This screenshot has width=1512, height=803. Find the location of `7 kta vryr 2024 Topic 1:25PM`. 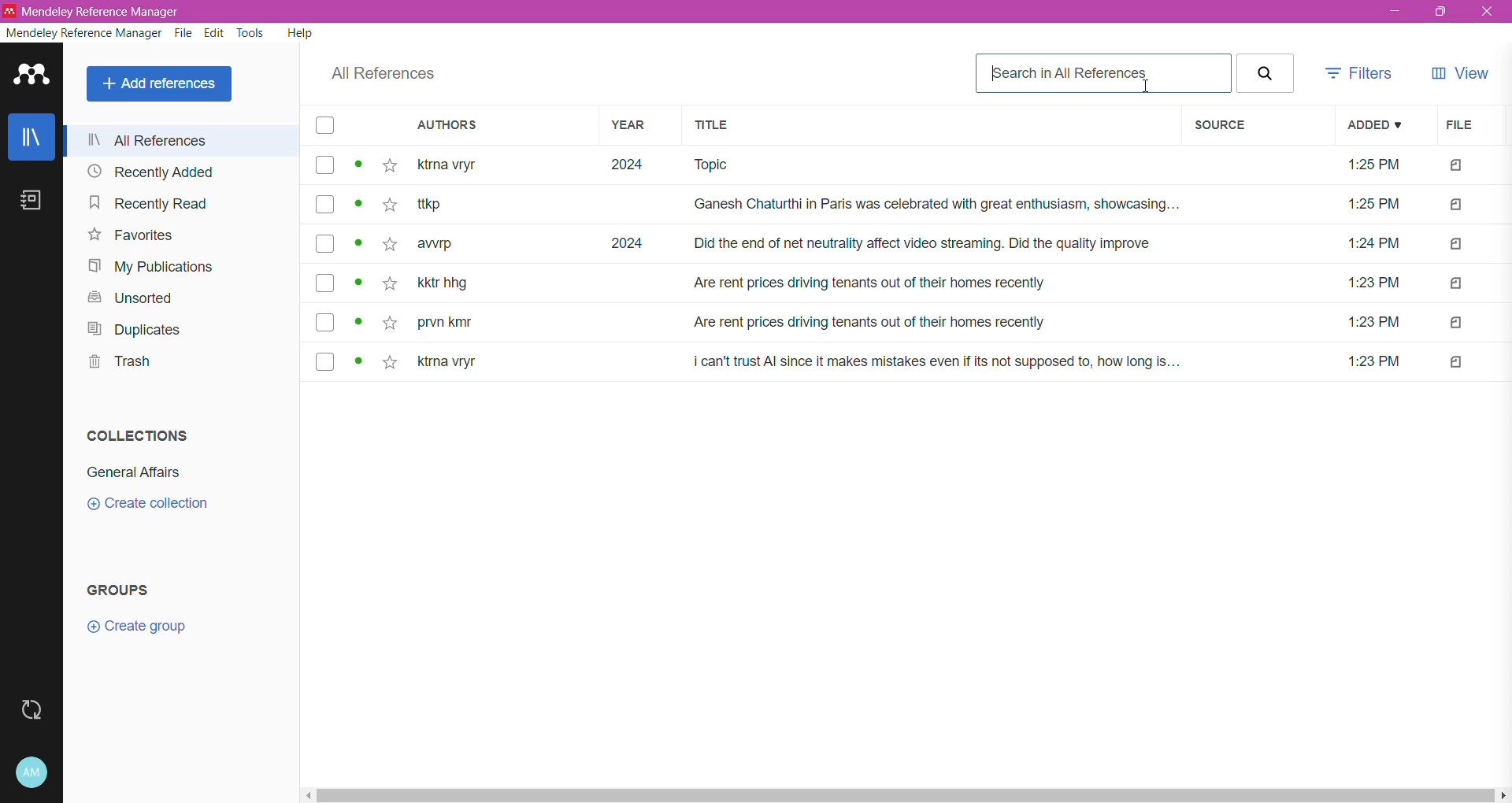

7 kta vryr 2024 Topic 1:25PM is located at coordinates (917, 168).